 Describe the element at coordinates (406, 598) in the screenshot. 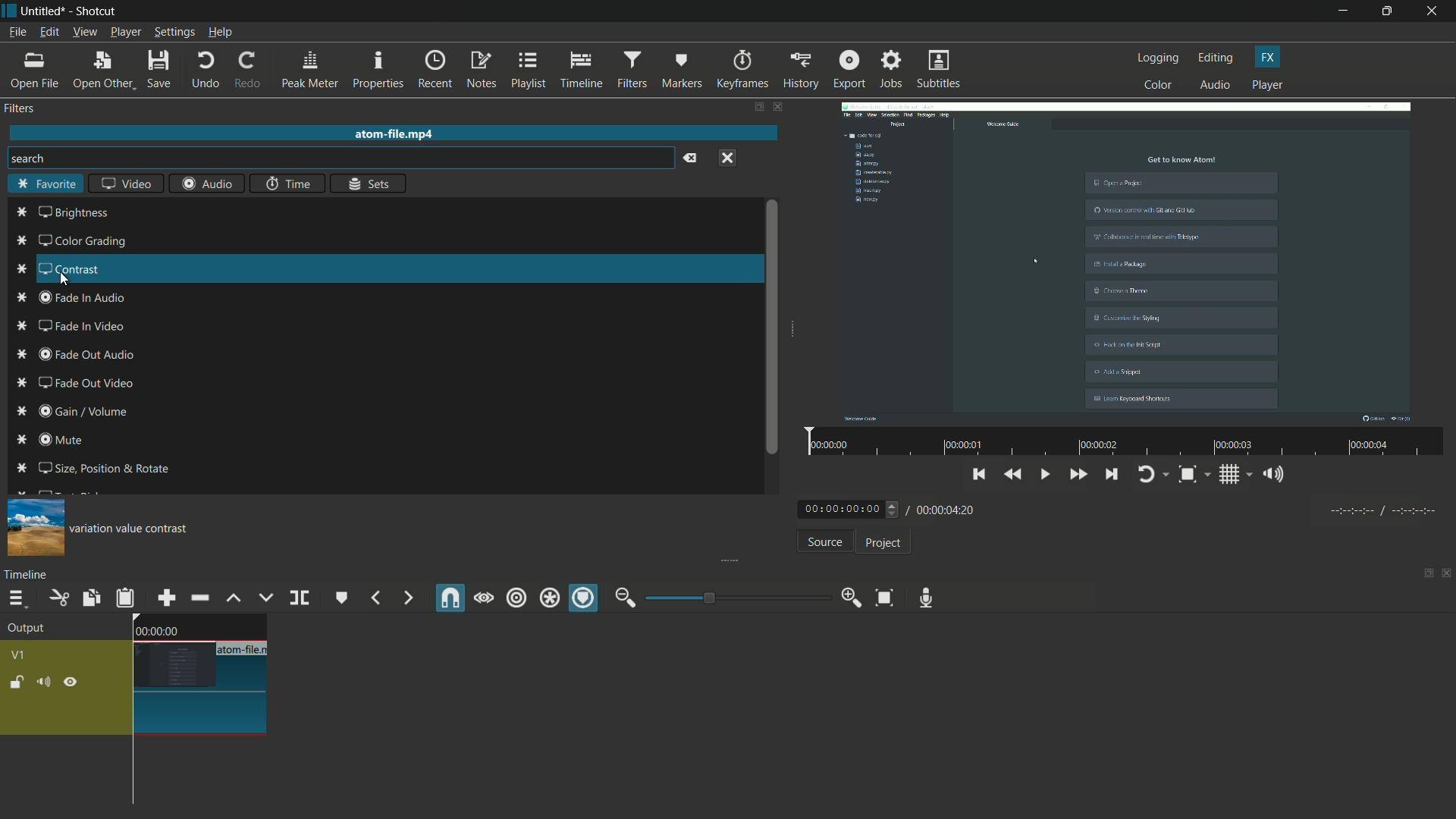

I see `next marker` at that location.